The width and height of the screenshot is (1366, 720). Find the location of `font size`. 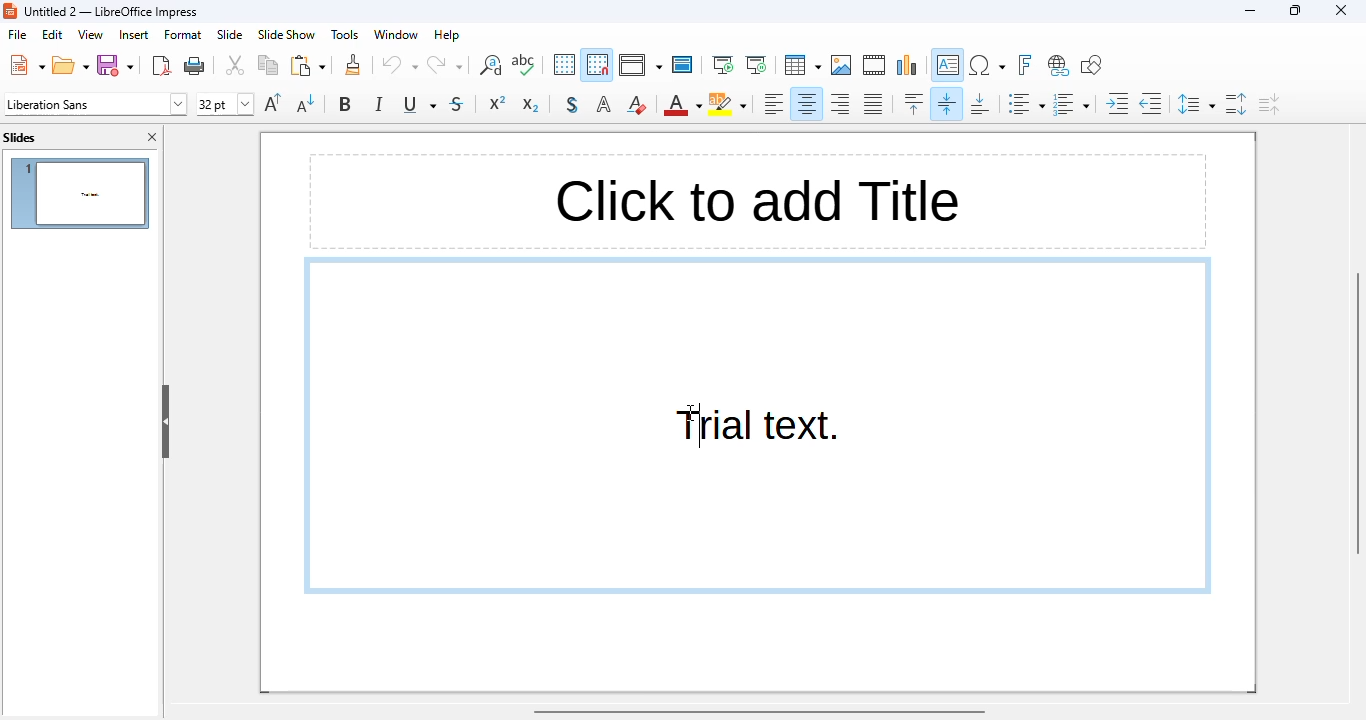

font size is located at coordinates (224, 104).